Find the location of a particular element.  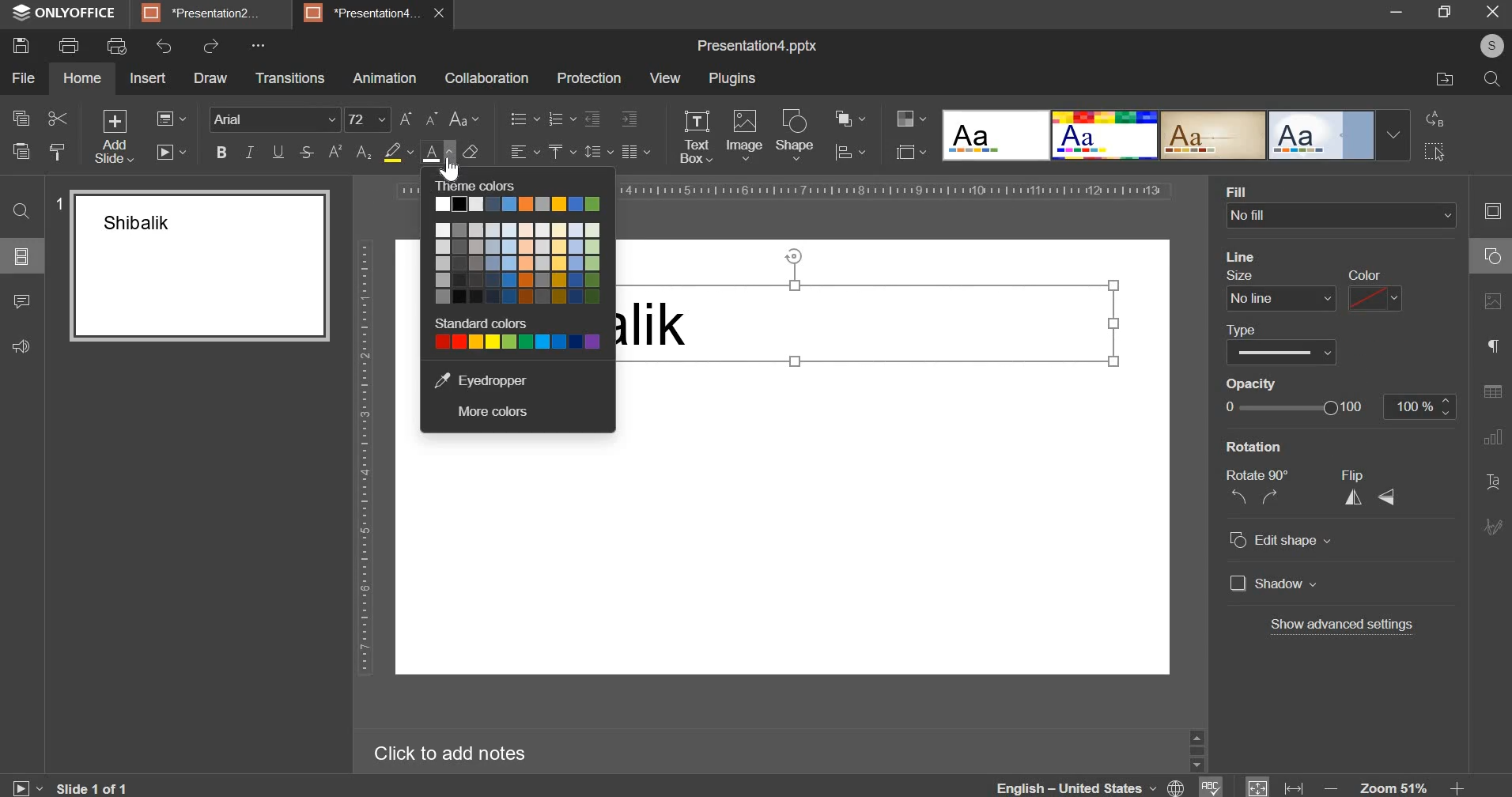

file is located at coordinates (23, 78).